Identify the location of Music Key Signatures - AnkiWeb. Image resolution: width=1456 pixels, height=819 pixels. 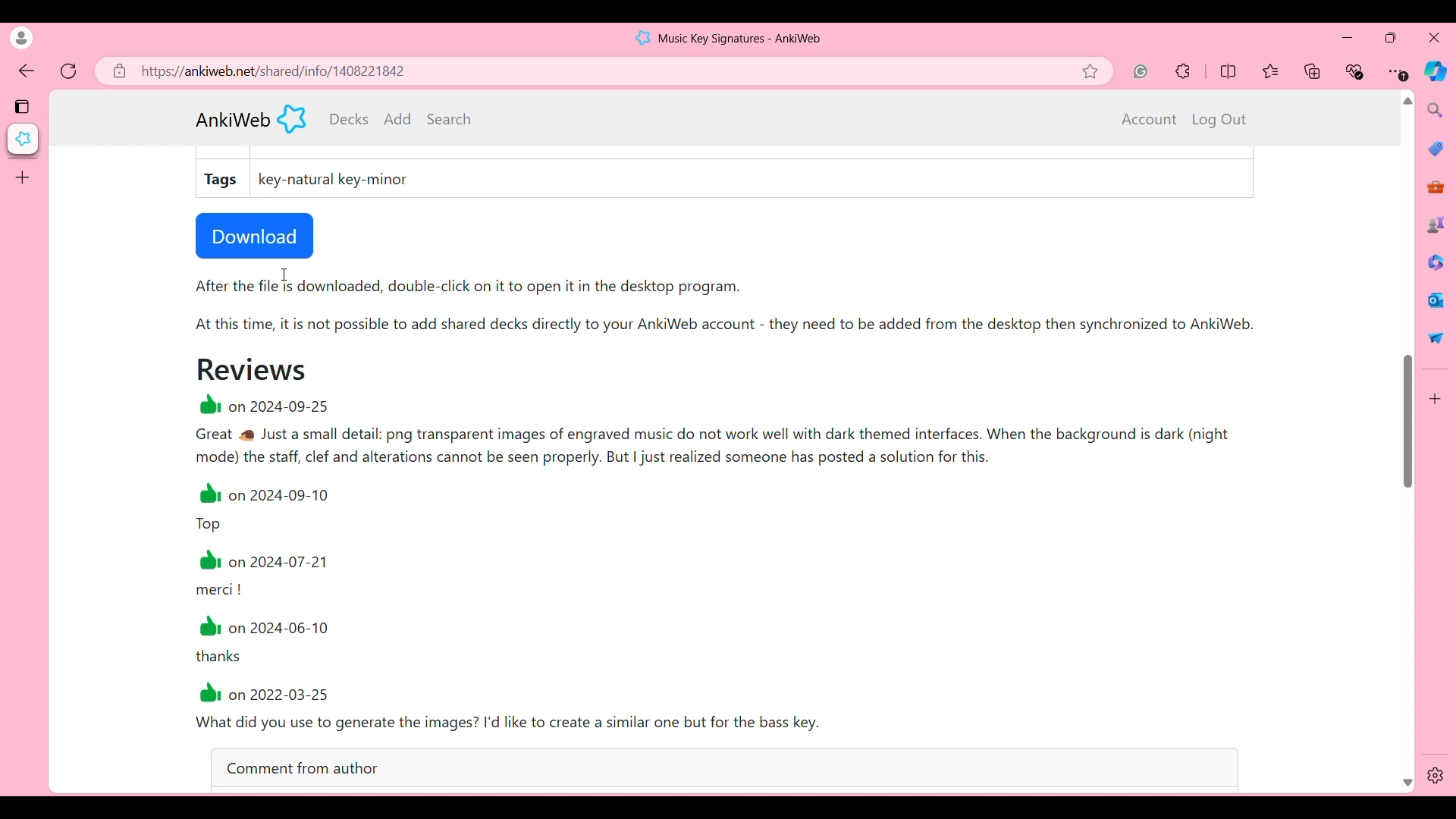
(741, 39).